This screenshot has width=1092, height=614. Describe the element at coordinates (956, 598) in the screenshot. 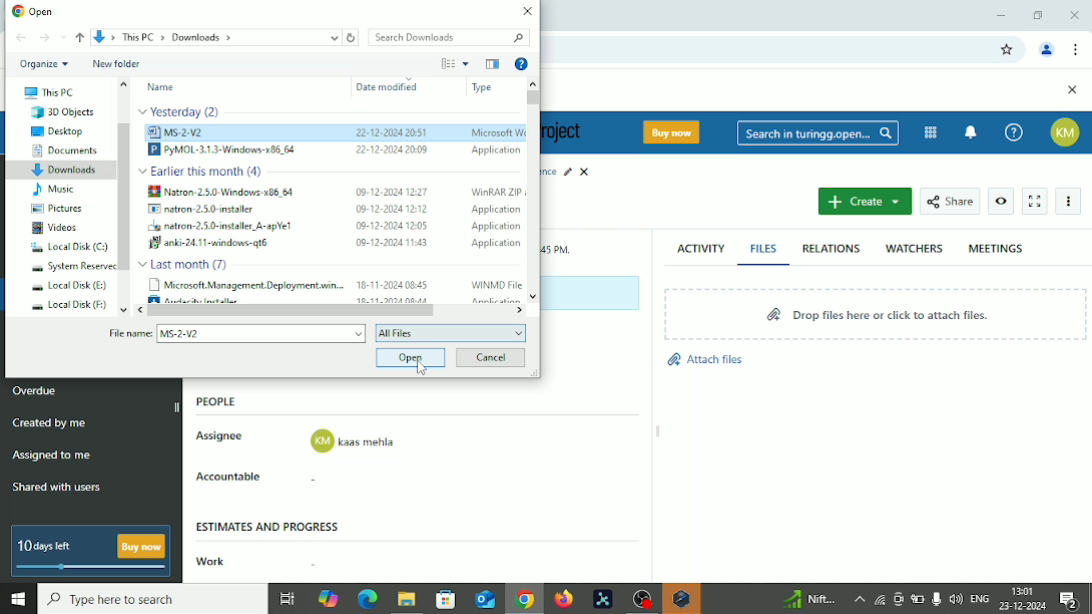

I see `speaker` at that location.